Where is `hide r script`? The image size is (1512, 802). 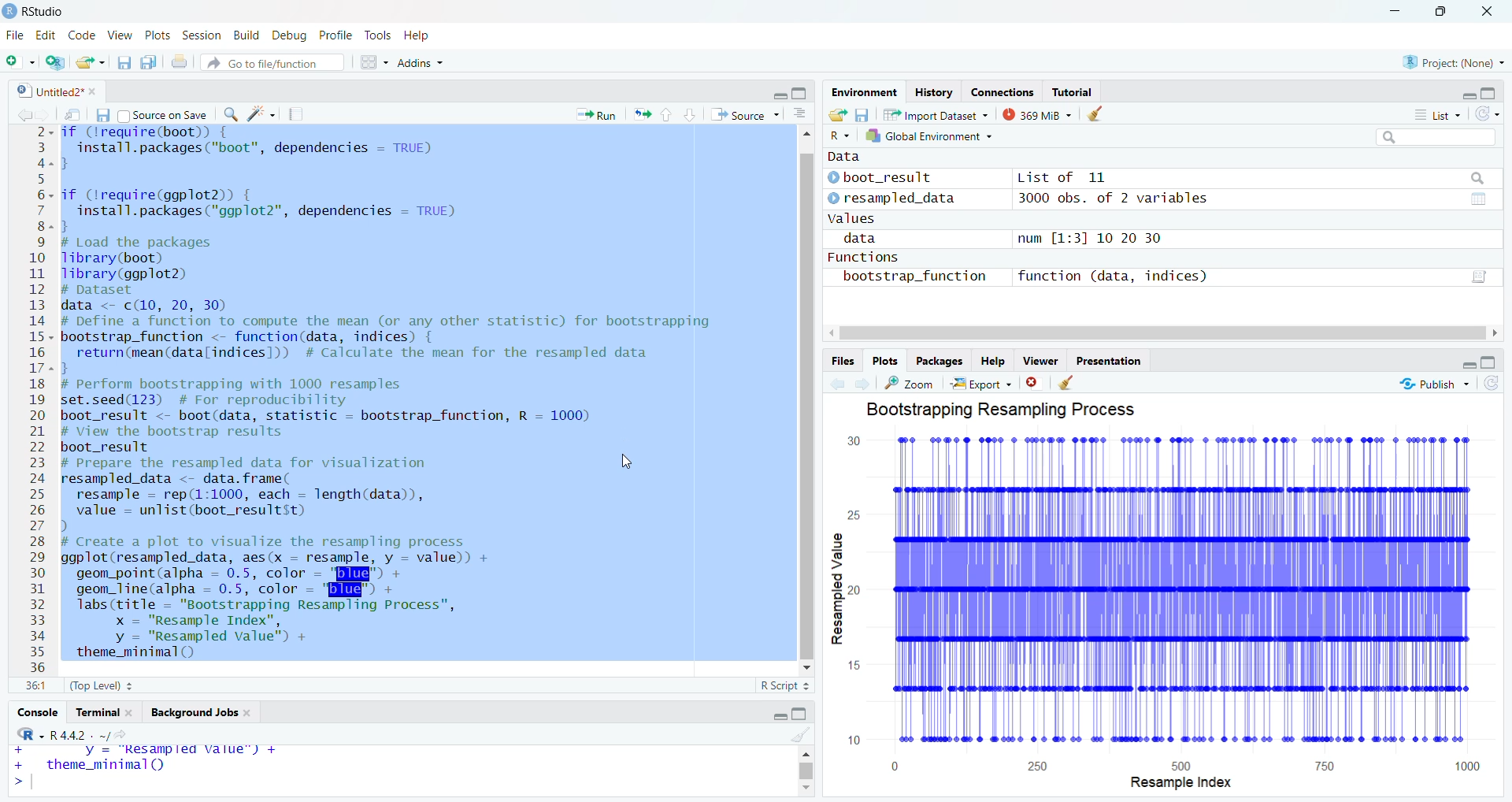
hide r script is located at coordinates (1464, 365).